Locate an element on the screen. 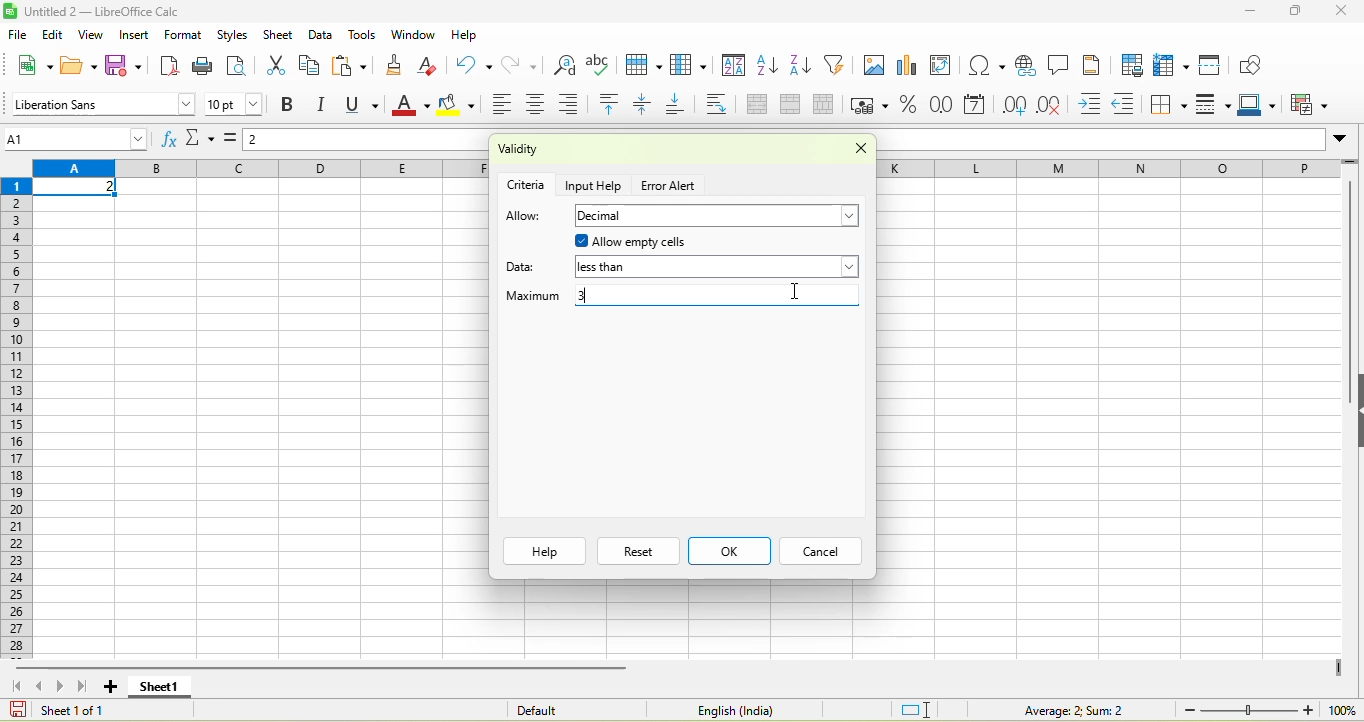 Image resolution: width=1364 pixels, height=722 pixels. conditional is located at coordinates (1312, 104).